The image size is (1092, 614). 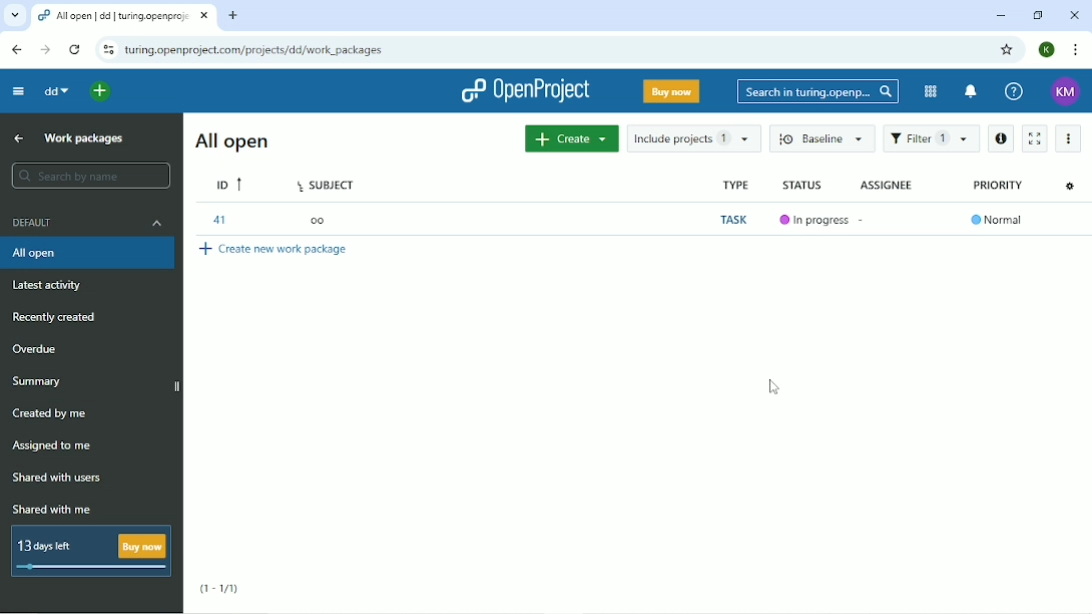 I want to click on Default, so click(x=87, y=223).